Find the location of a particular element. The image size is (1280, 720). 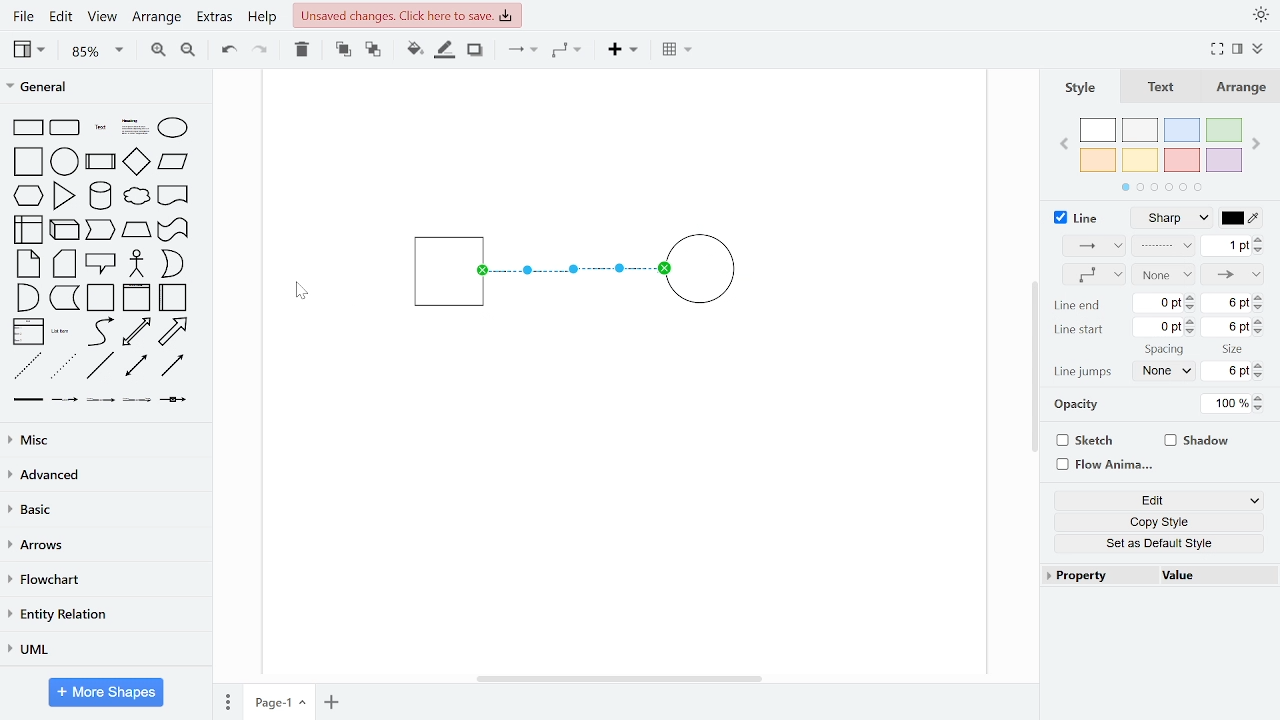

dashed line is located at coordinates (28, 367).